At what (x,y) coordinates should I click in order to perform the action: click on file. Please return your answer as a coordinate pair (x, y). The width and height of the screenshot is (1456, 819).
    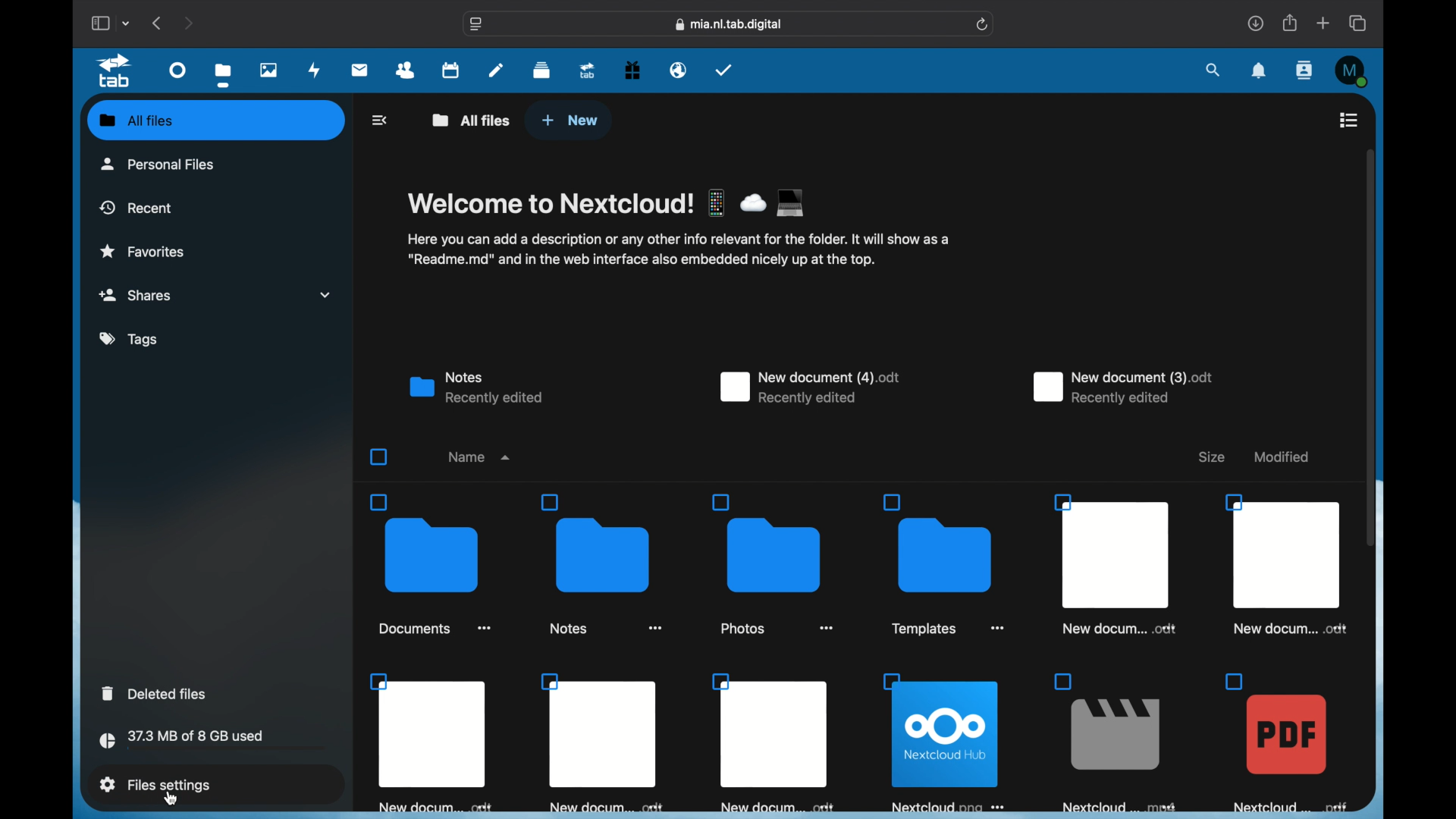
    Looking at the image, I should click on (1115, 742).